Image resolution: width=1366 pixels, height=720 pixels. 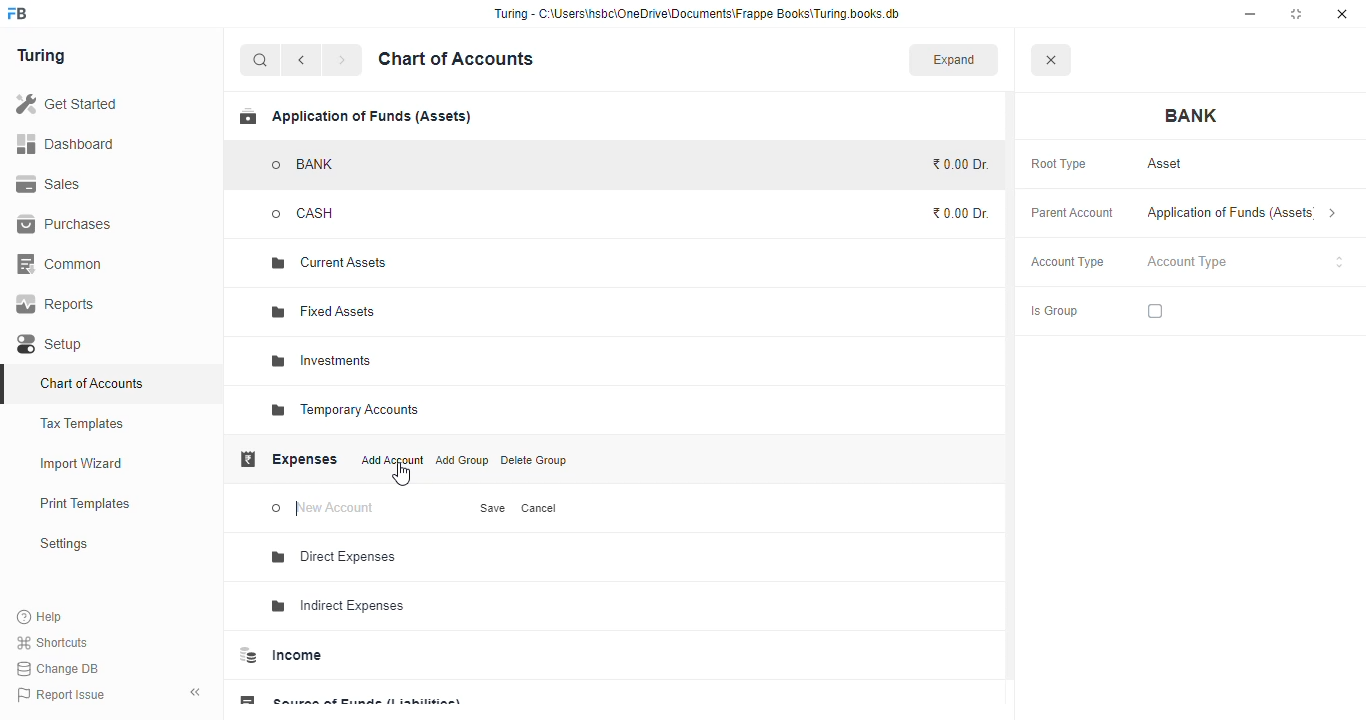 I want to click on expand, so click(x=954, y=59).